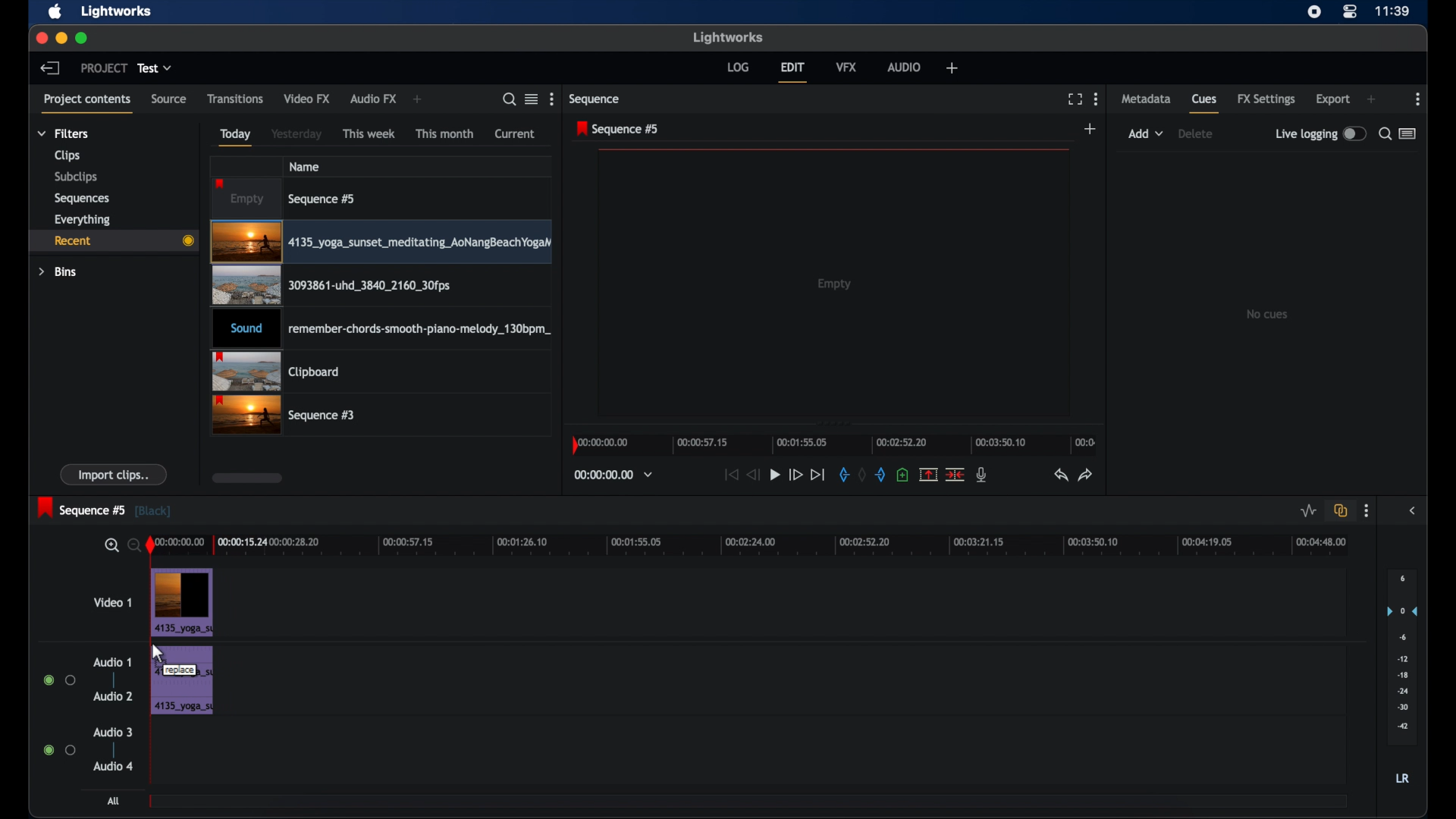  What do you see at coordinates (883, 475) in the screenshot?
I see `out mark` at bounding box center [883, 475].